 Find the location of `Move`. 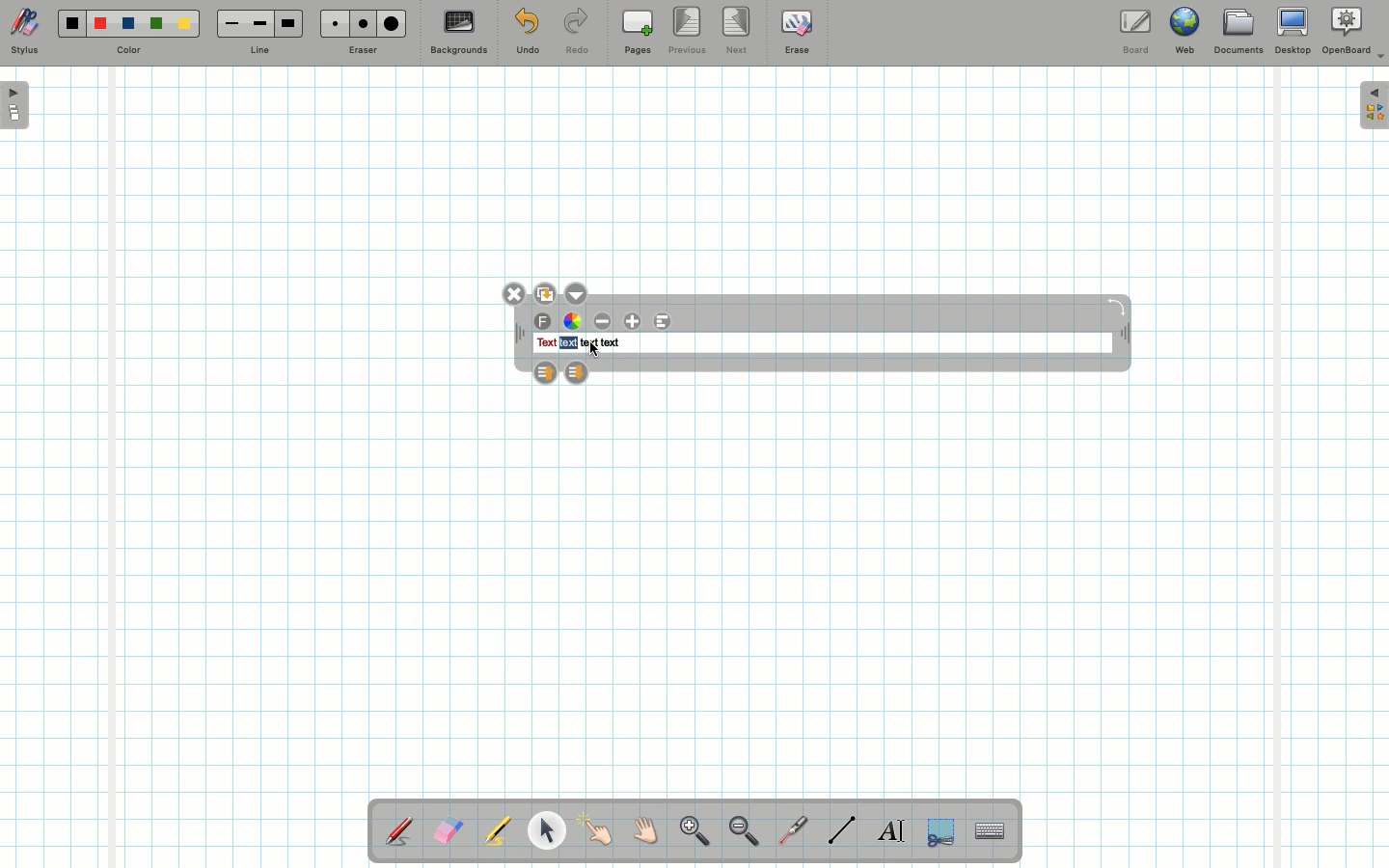

Move is located at coordinates (520, 336).